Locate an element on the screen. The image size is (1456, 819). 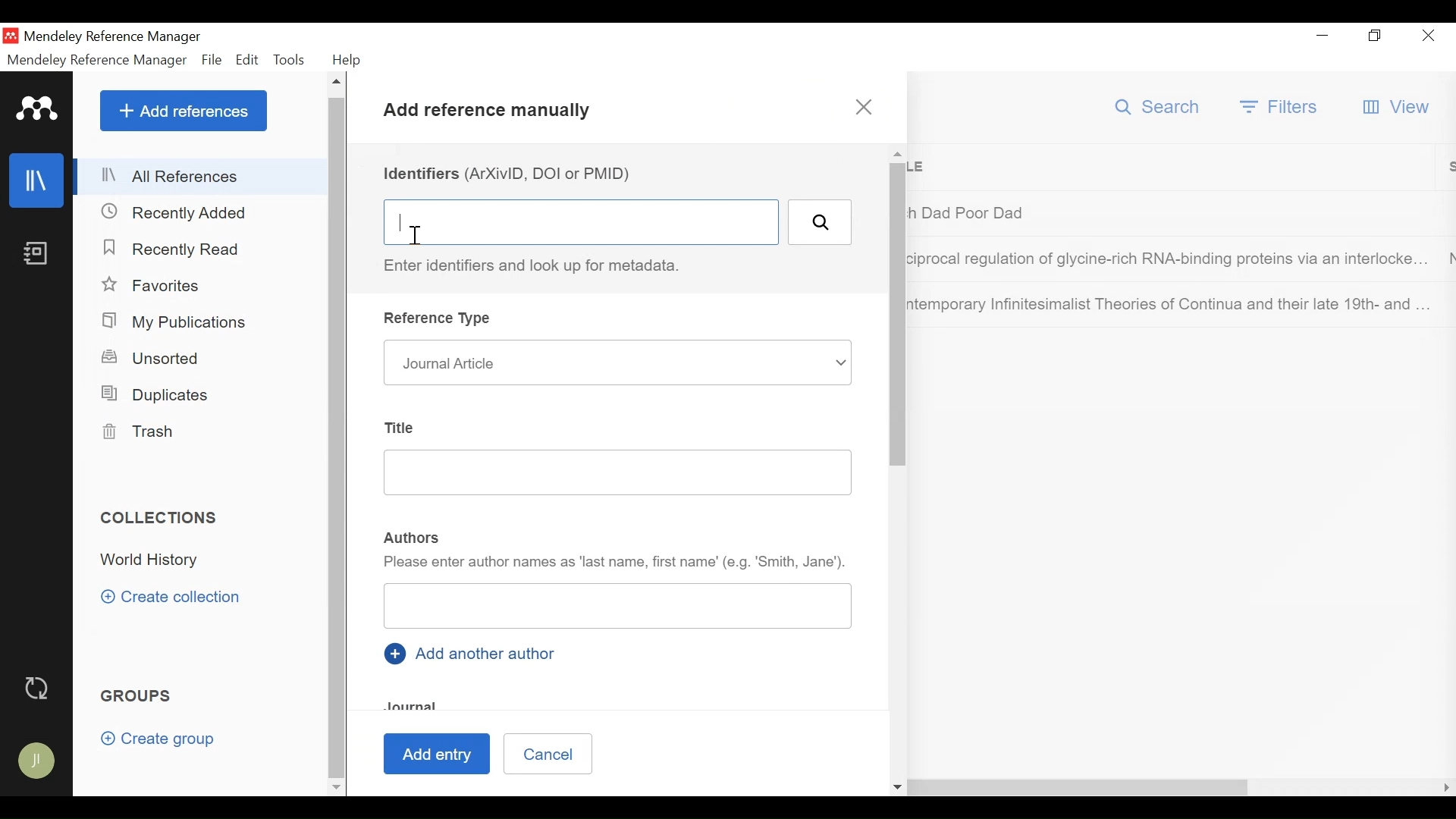
Regulation of lysine rich RNA binding proteins via an interlocke is located at coordinates (1171, 262).